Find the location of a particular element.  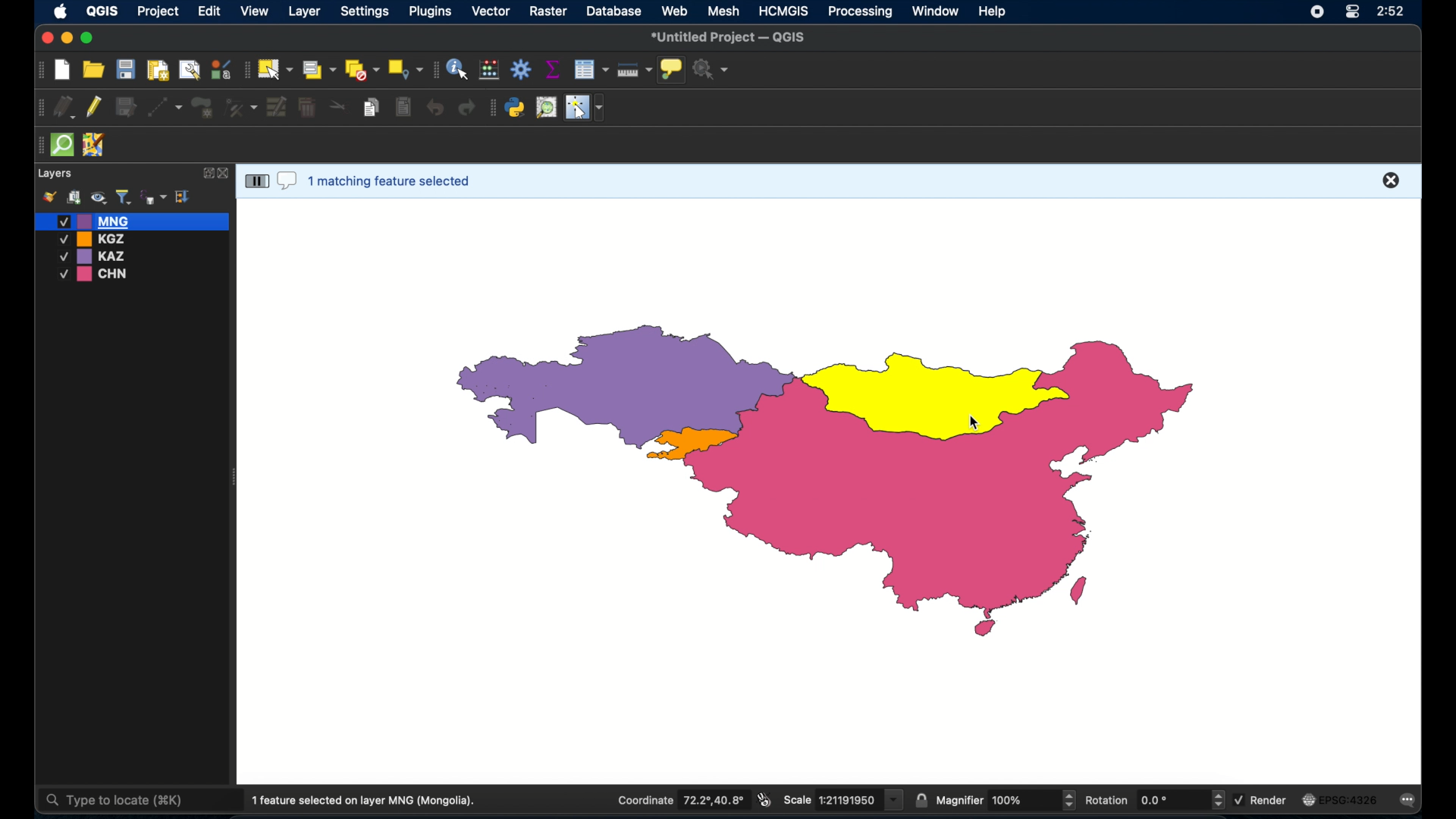

python console is located at coordinates (516, 108).